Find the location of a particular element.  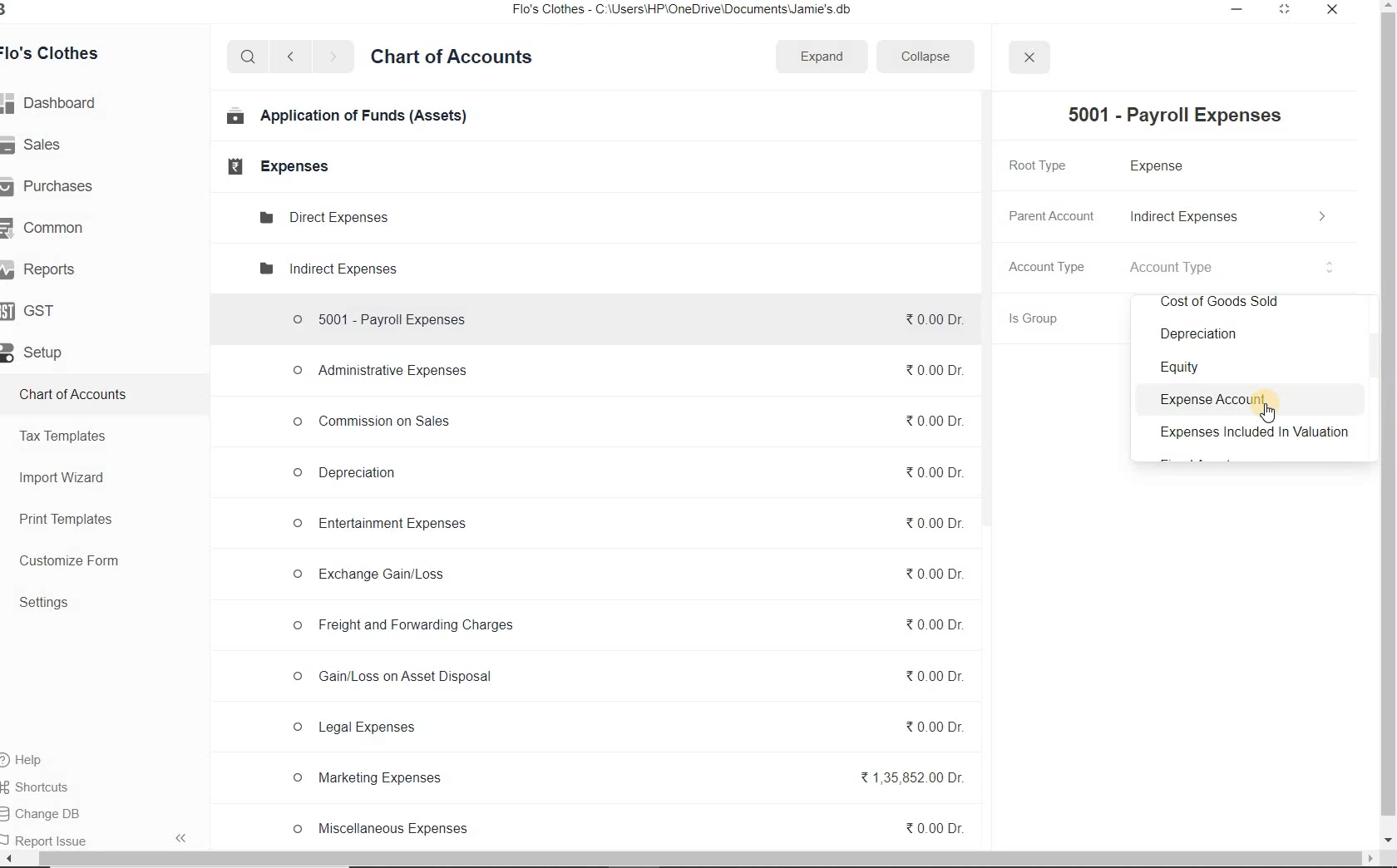

5001 - Payroll Expenses is located at coordinates (1181, 114).